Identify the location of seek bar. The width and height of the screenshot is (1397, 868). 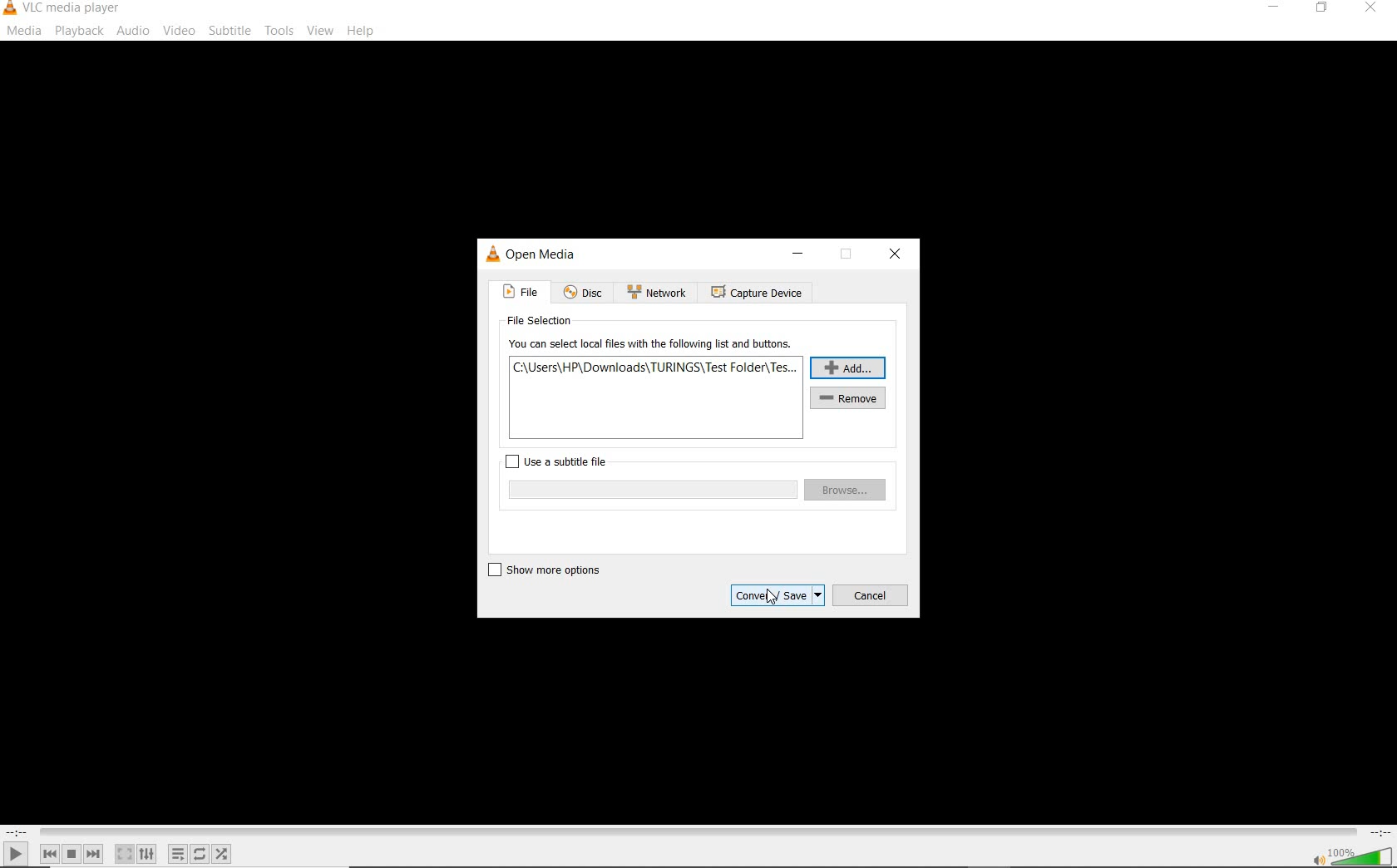
(696, 832).